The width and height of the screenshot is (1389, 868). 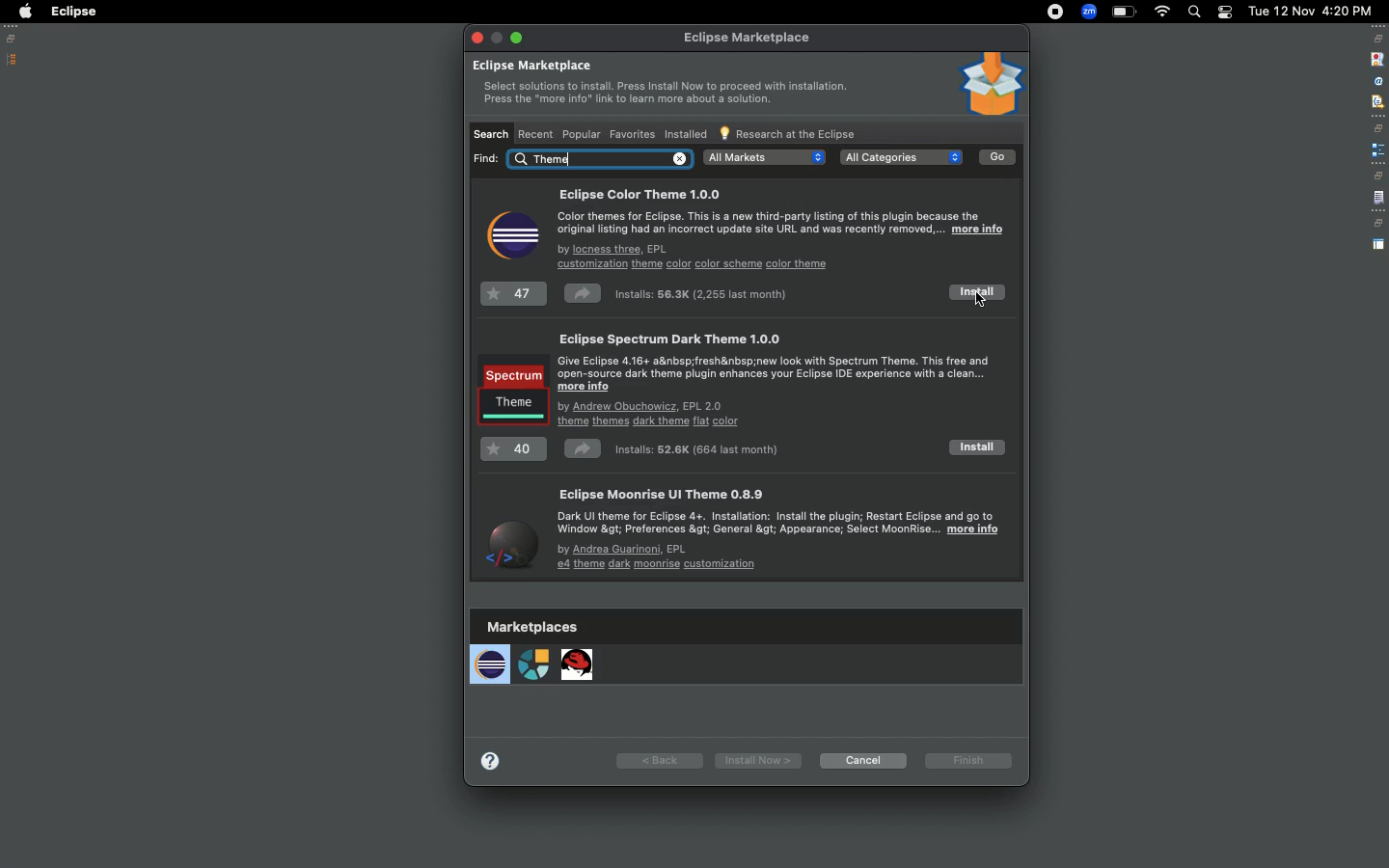 What do you see at coordinates (1088, 12) in the screenshot?
I see `Zoom` at bounding box center [1088, 12].